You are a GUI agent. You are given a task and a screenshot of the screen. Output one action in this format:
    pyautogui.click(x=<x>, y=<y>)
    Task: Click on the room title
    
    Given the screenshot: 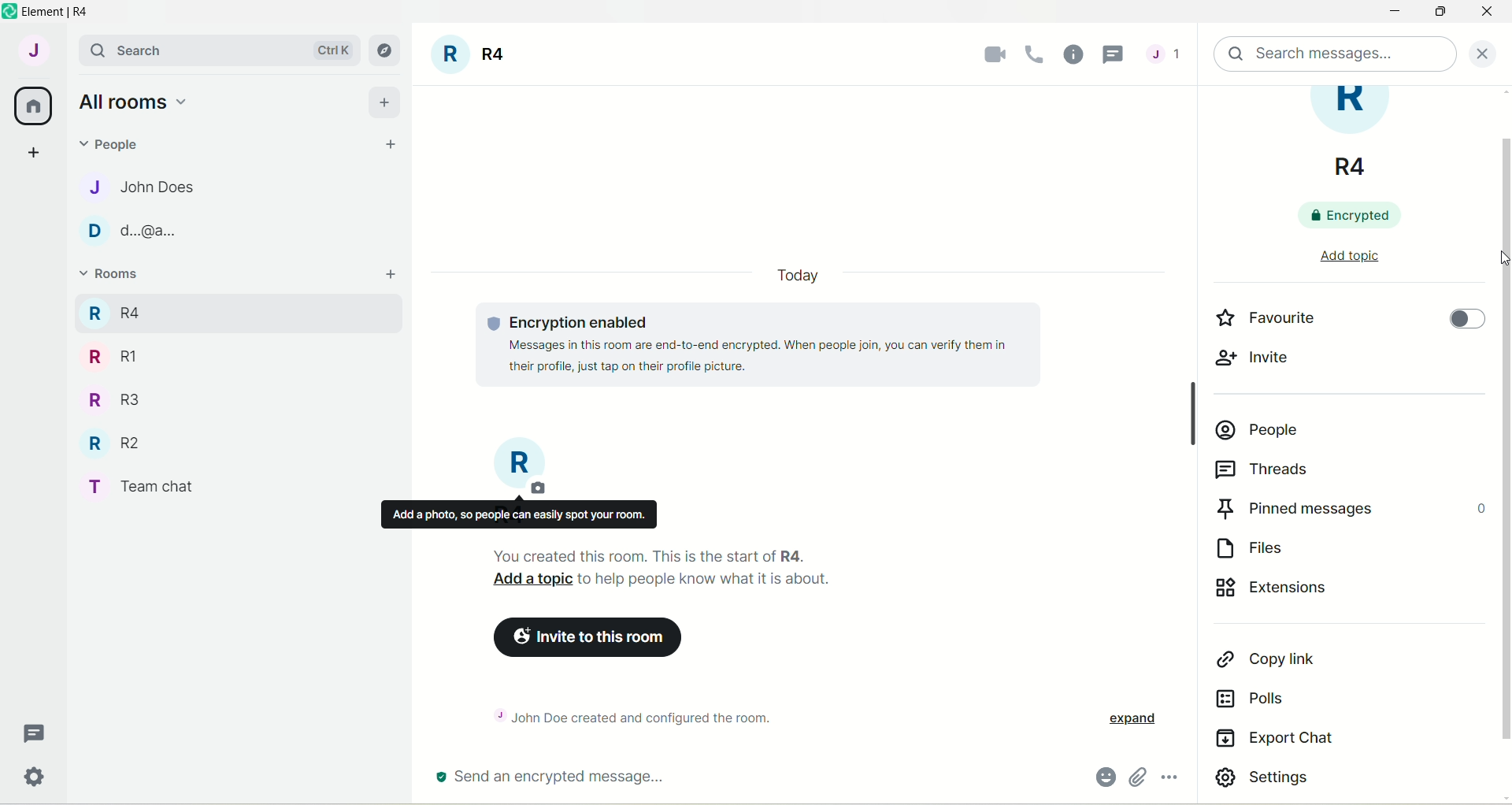 What is the action you would take?
    pyautogui.click(x=521, y=467)
    